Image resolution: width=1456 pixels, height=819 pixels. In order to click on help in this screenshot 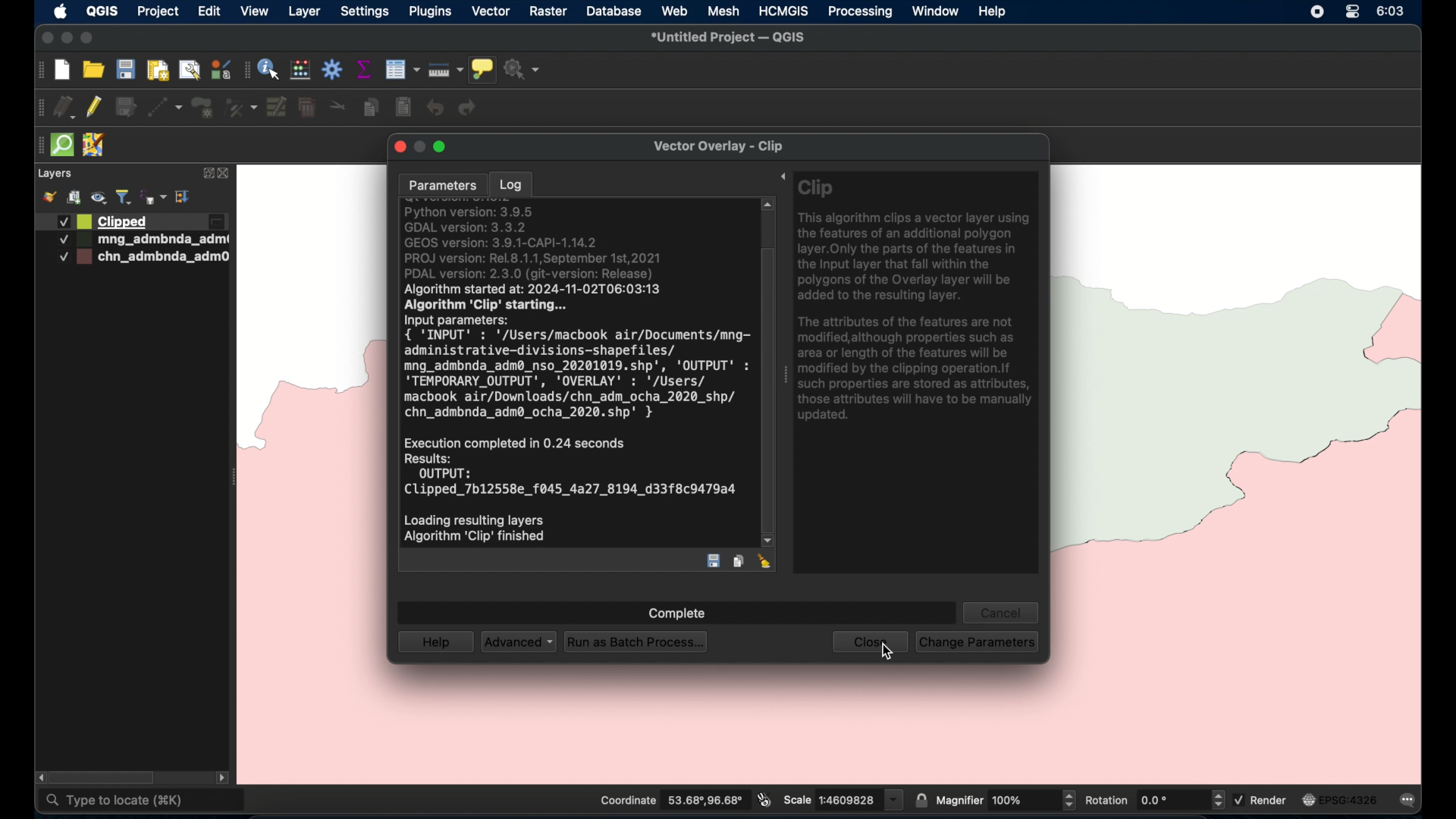, I will do `click(993, 12)`.